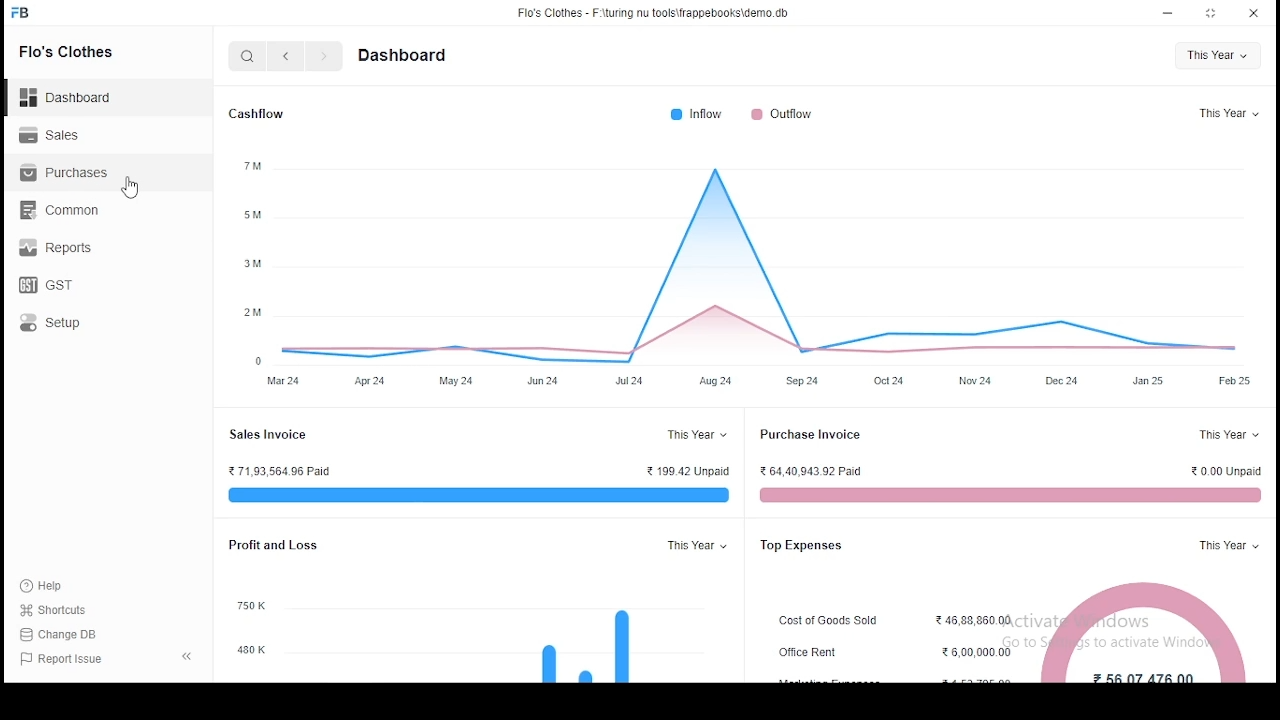  I want to click on Mar 24, so click(283, 382).